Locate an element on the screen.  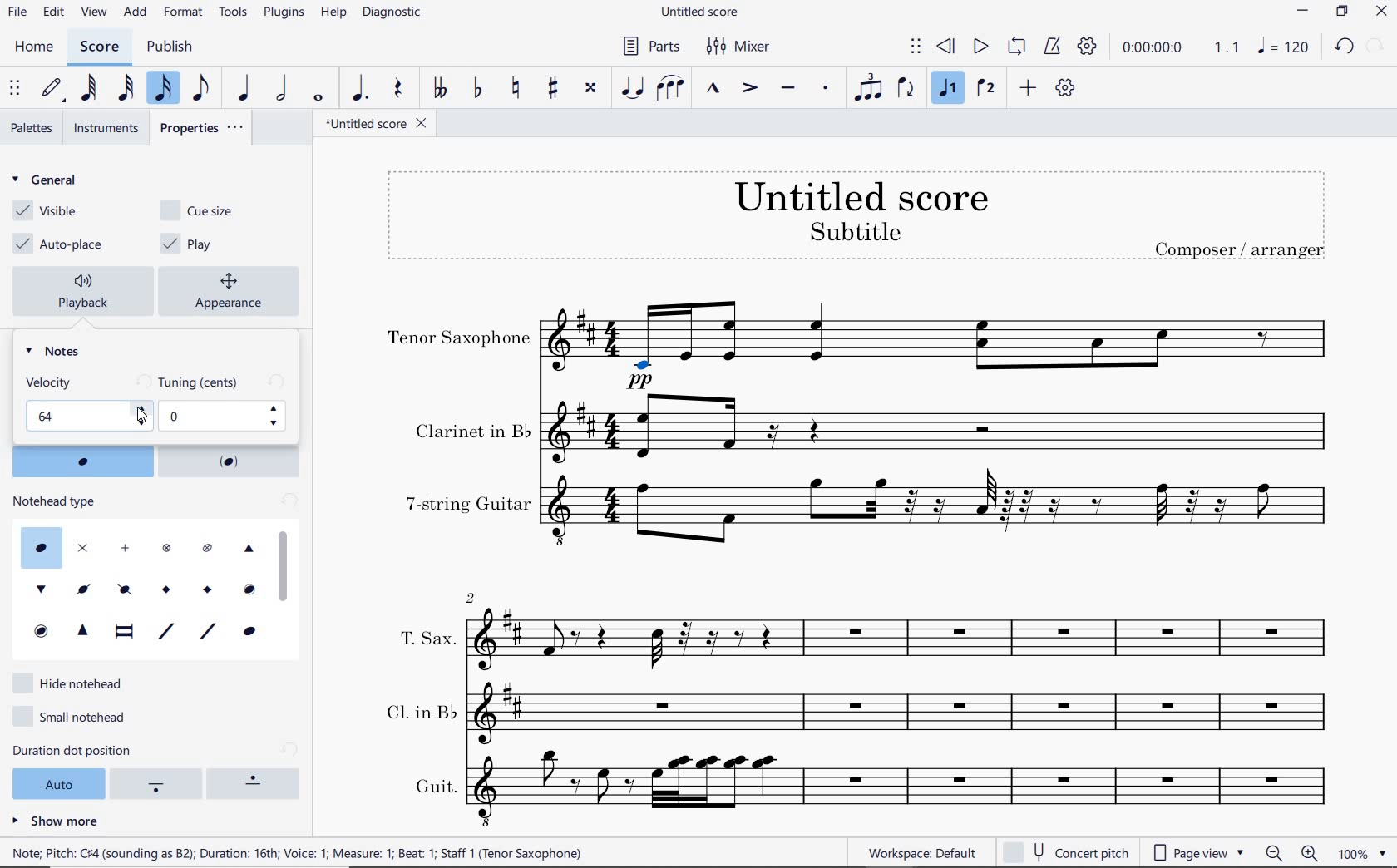
TOGGLE NATURAL is located at coordinates (516, 88).